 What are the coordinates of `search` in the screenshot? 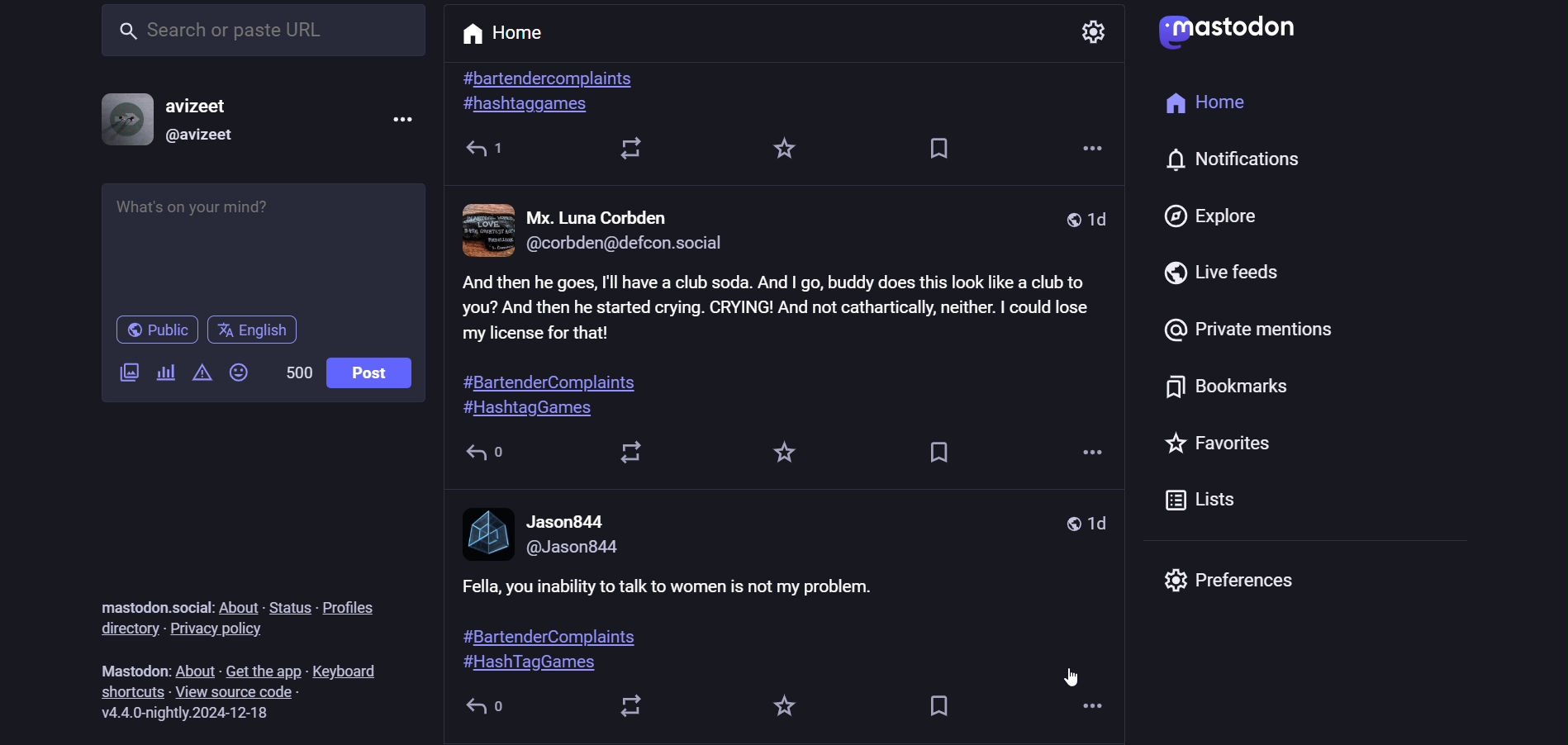 It's located at (260, 36).